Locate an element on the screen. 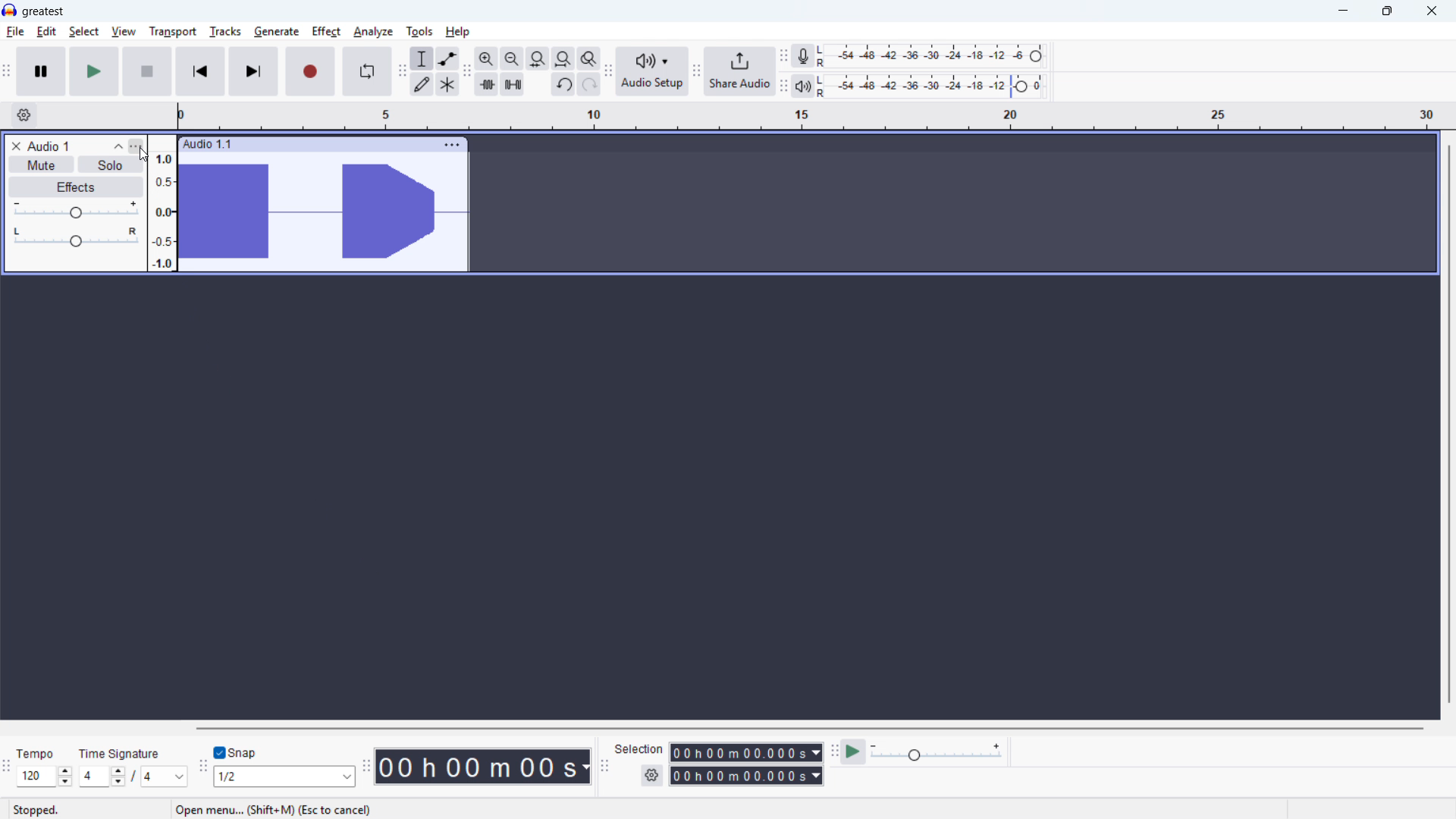 This screenshot has width=1456, height=819. toggle zoom is located at coordinates (589, 59).